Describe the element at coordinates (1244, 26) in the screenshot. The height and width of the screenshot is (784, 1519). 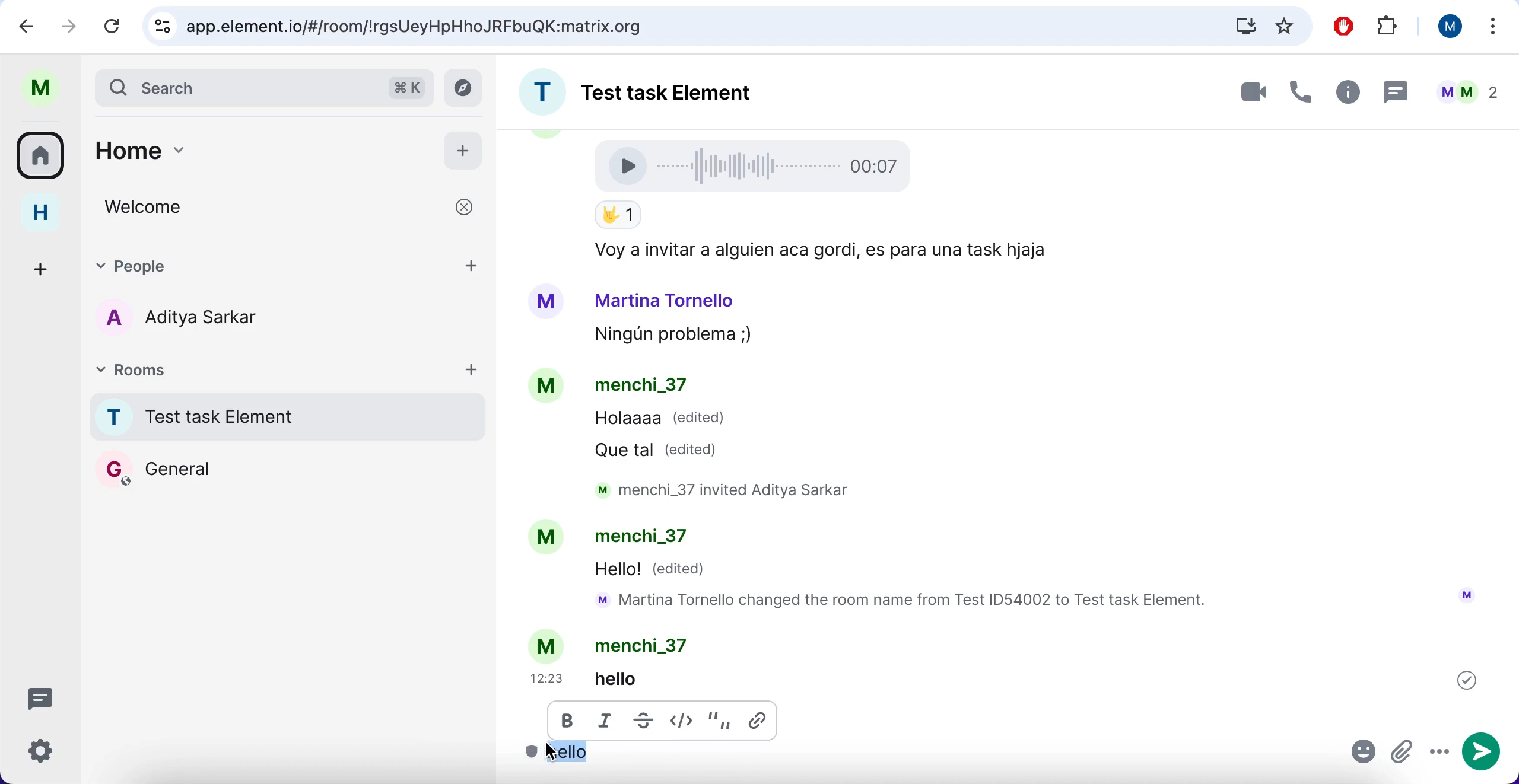
I see `downloads` at that location.